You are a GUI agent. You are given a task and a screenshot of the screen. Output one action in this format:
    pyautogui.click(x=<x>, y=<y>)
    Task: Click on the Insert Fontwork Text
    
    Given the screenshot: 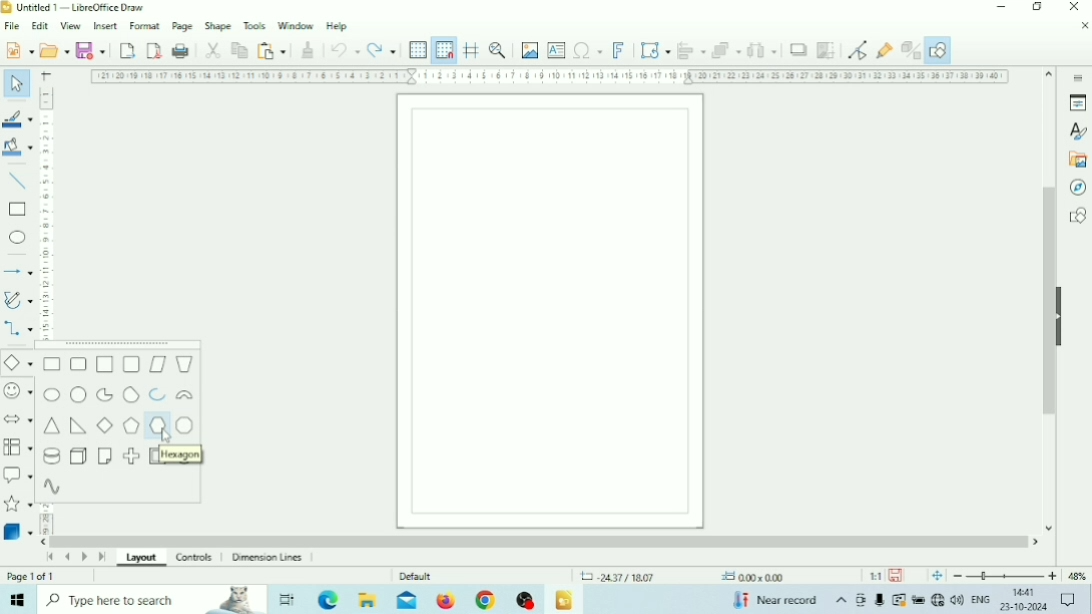 What is the action you would take?
    pyautogui.click(x=618, y=49)
    